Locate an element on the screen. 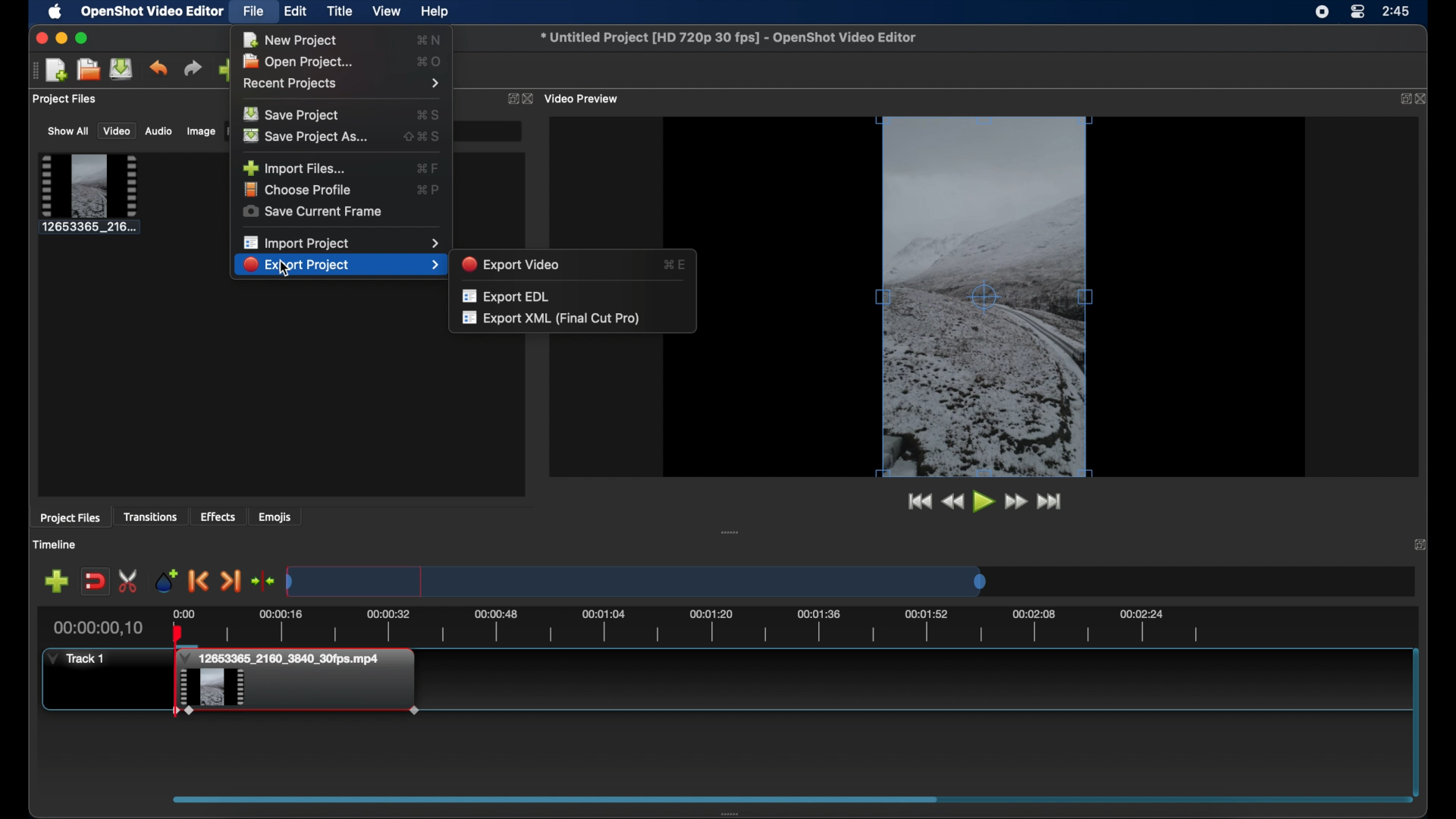  audio is located at coordinates (159, 132).